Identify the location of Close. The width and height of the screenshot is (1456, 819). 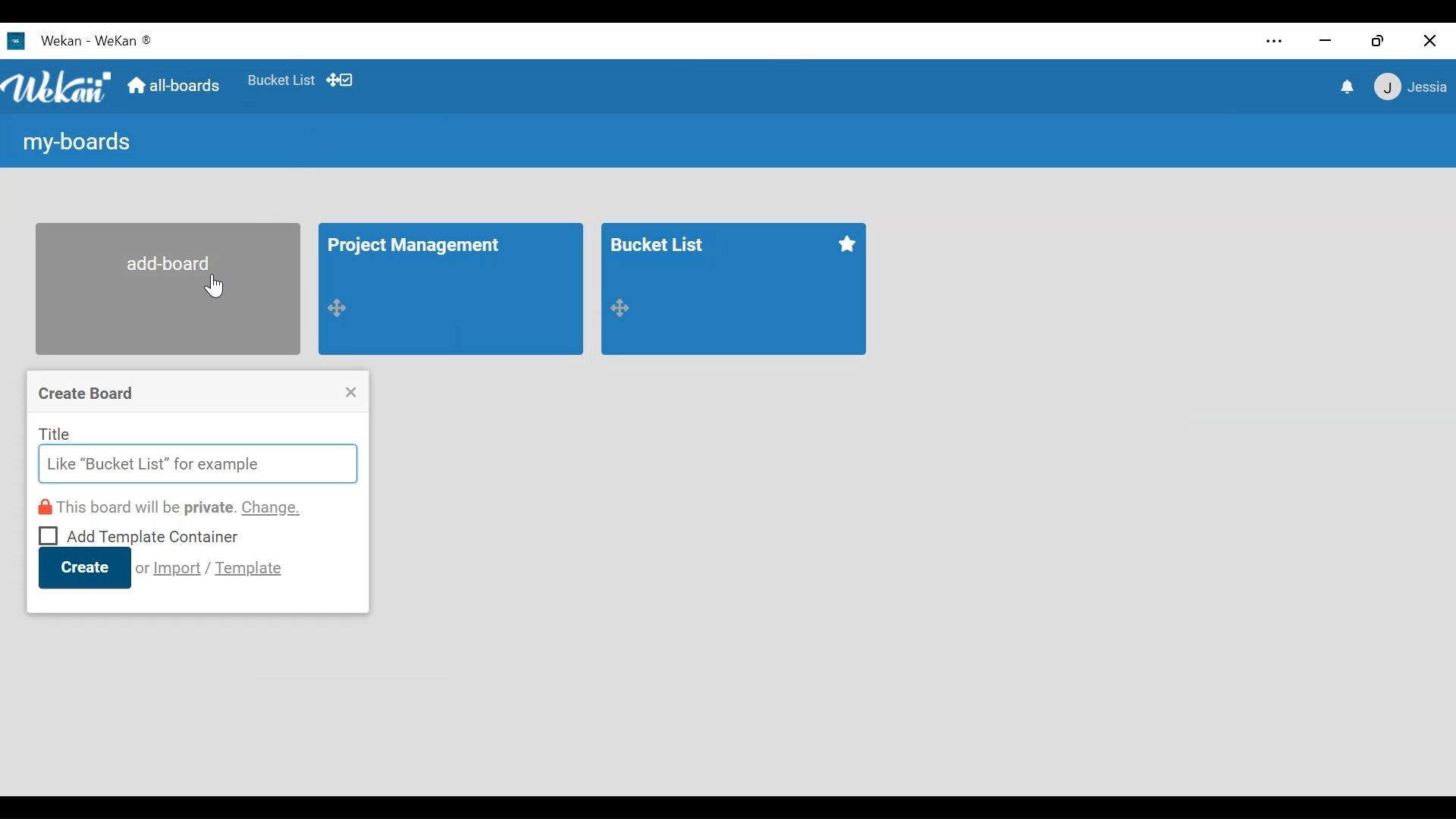
(1429, 40).